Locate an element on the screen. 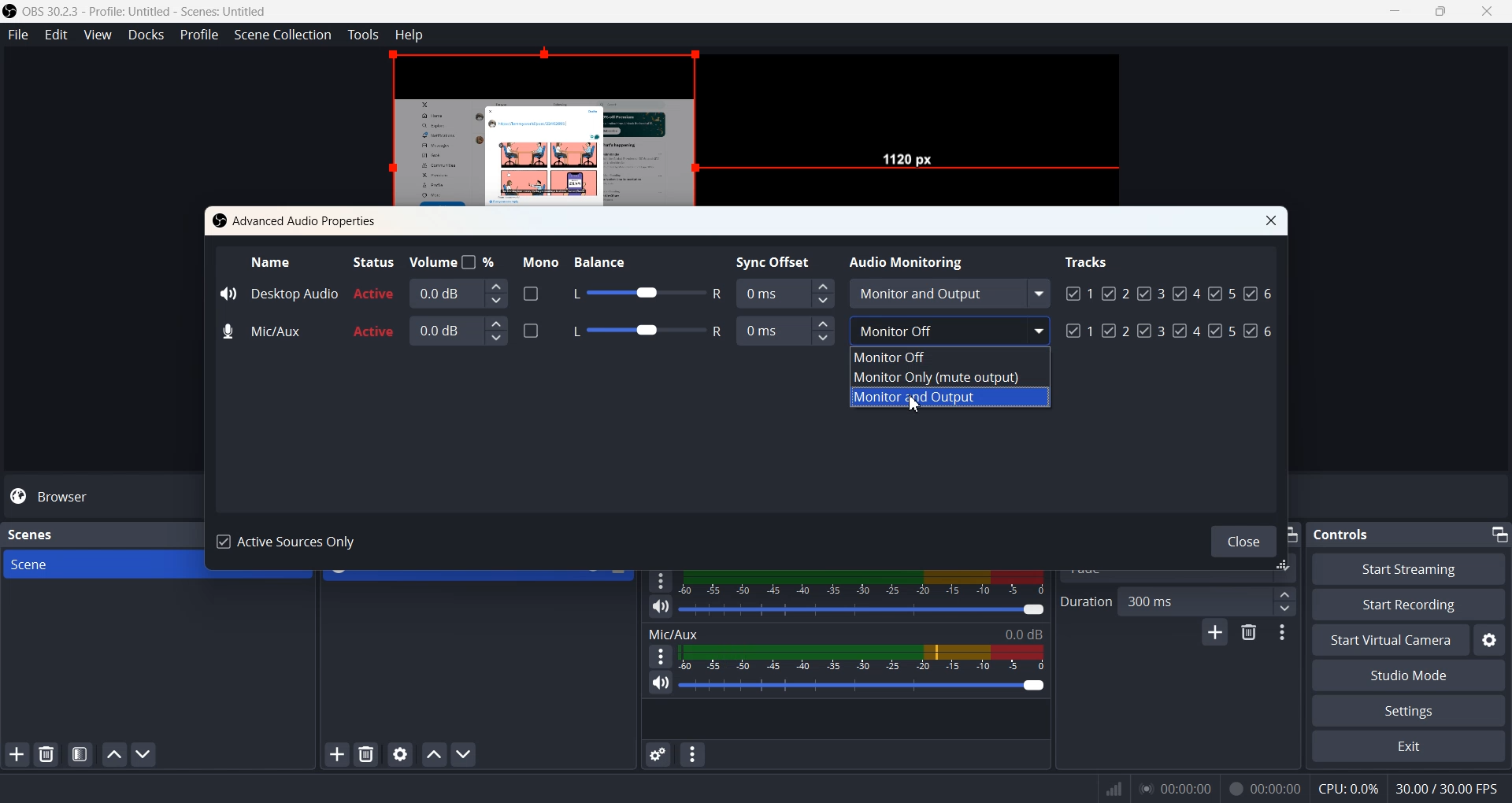 This screenshot has width=1512, height=803. Monitor Only (mute output) is located at coordinates (951, 376).